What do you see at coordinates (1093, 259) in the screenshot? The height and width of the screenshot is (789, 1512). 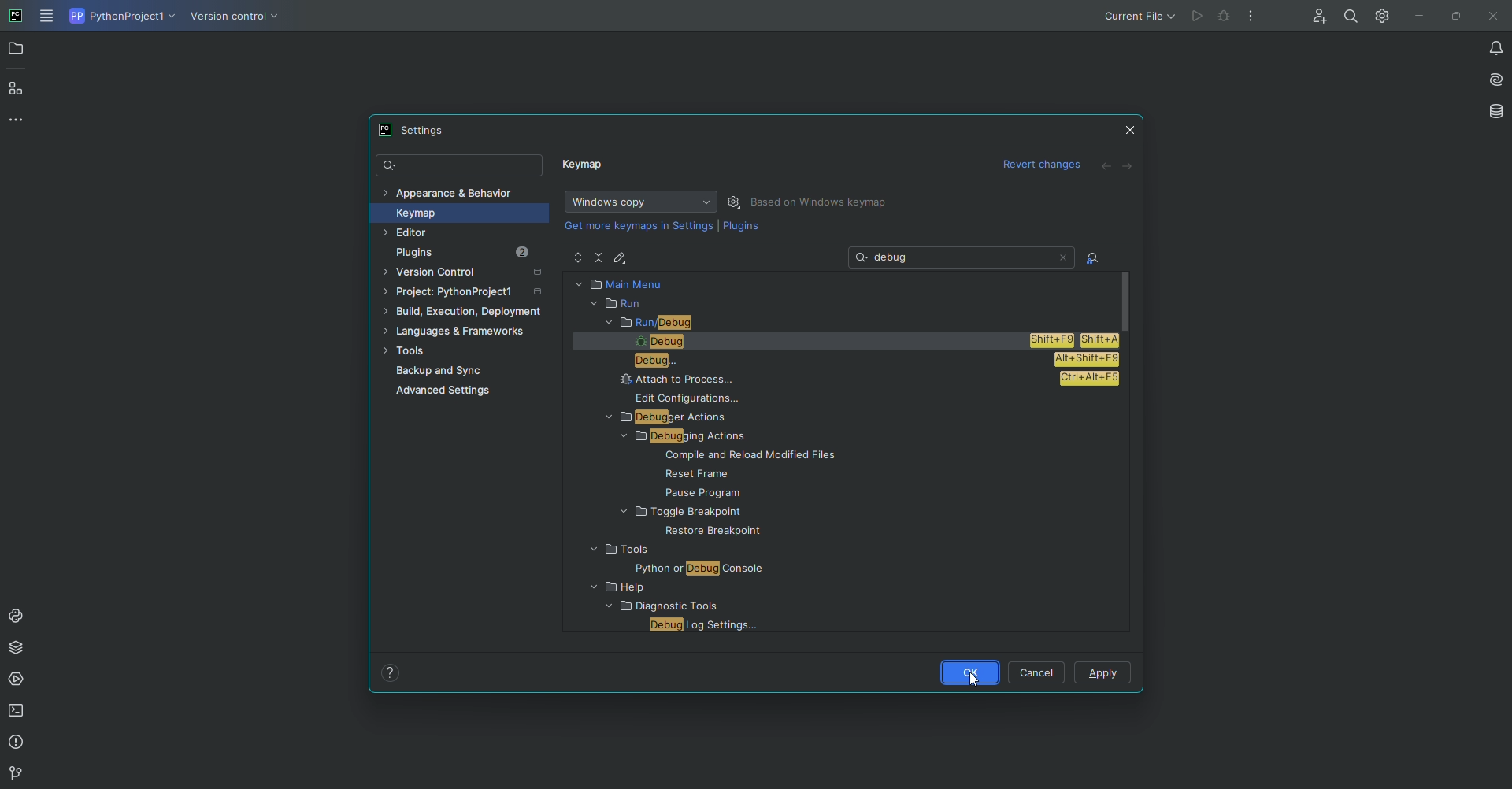 I see `Find Actions` at bounding box center [1093, 259].